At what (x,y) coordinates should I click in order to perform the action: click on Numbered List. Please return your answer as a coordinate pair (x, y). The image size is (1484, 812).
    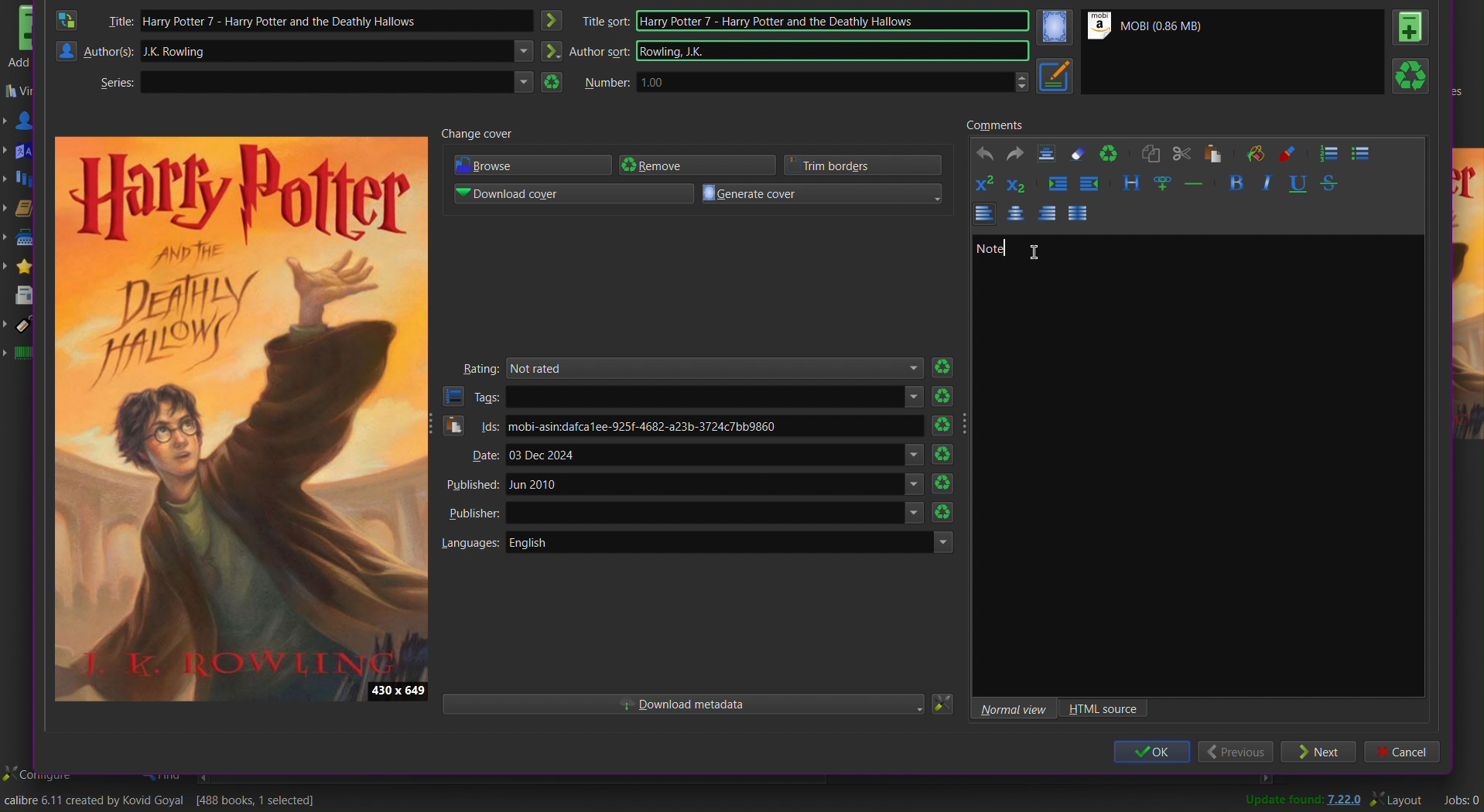
    Looking at the image, I should click on (1331, 153).